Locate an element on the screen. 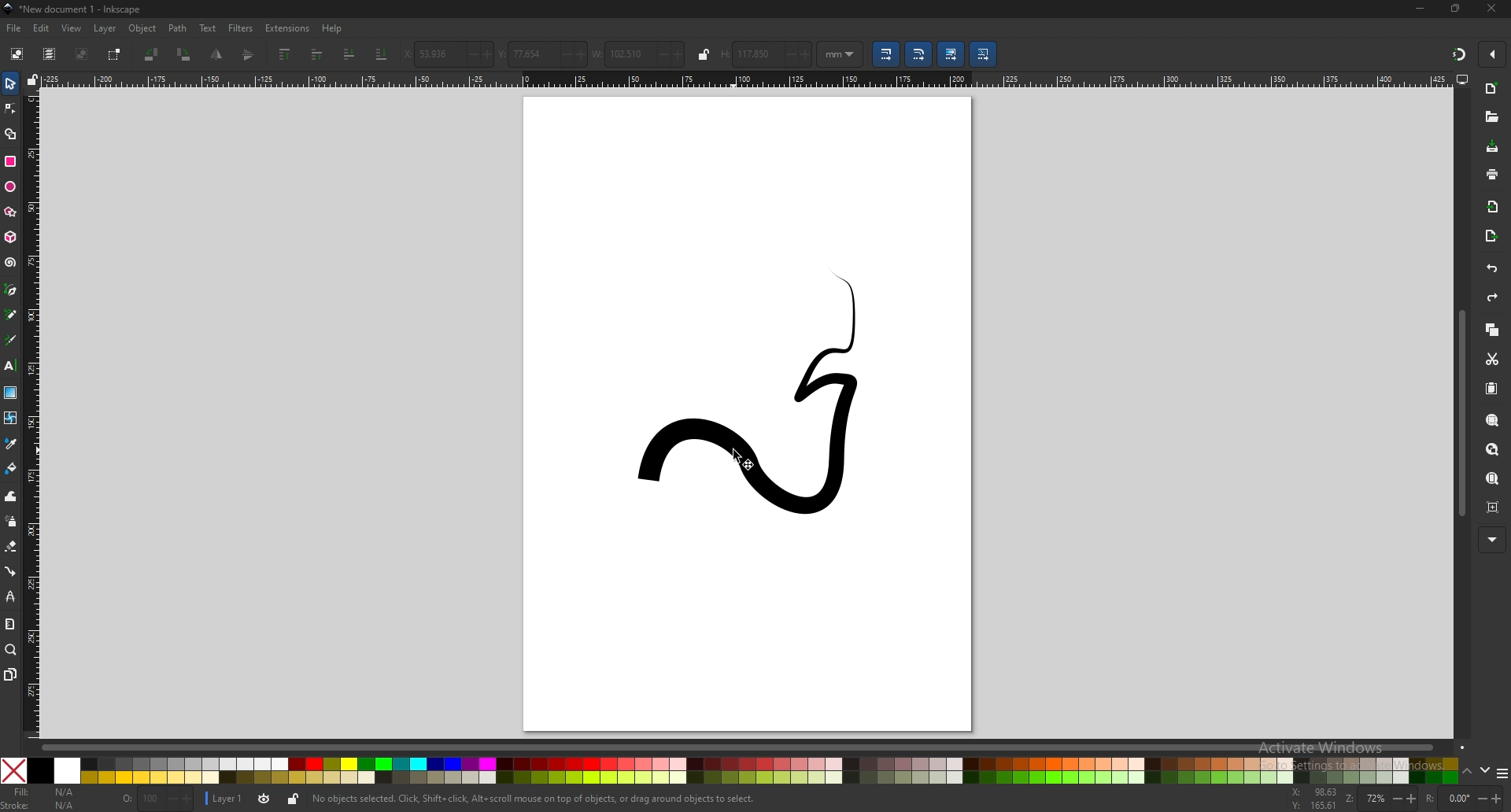 This screenshot has height=812, width=1511. scroll bar is located at coordinates (755, 745).